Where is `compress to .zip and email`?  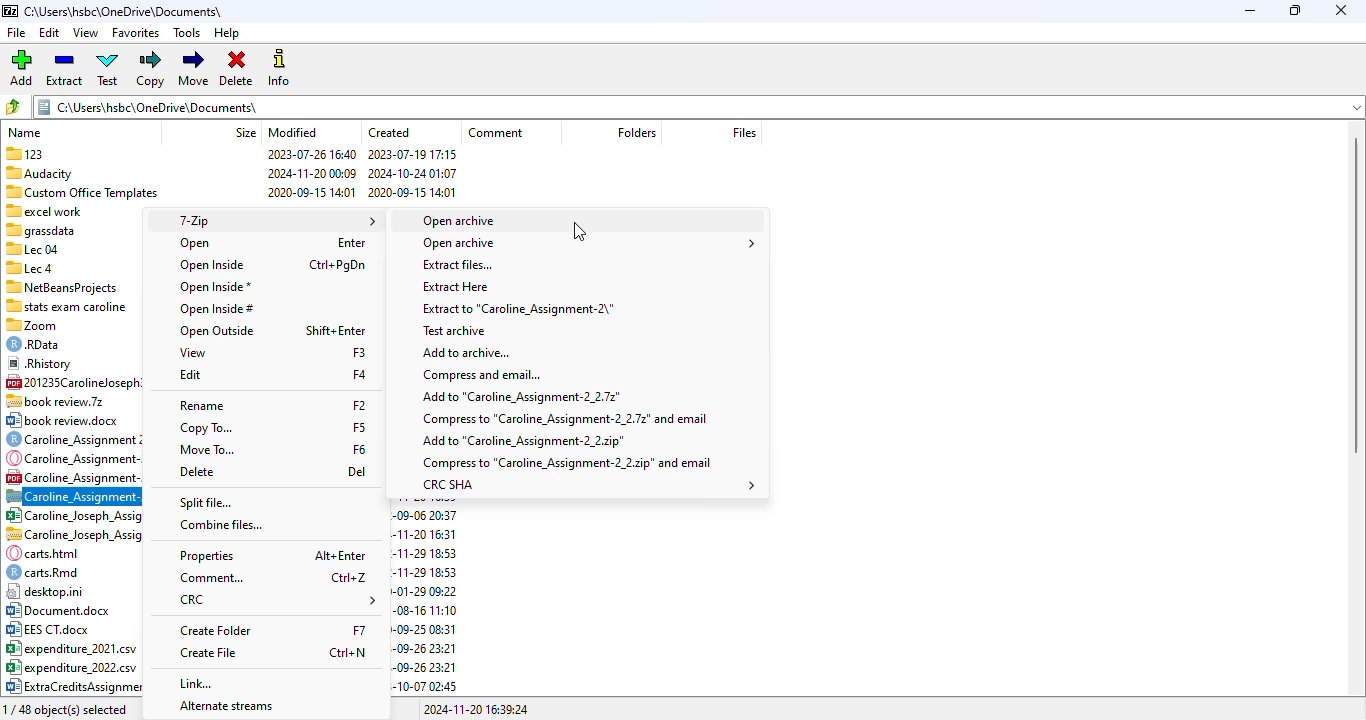
compress to .zip and email is located at coordinates (567, 462).